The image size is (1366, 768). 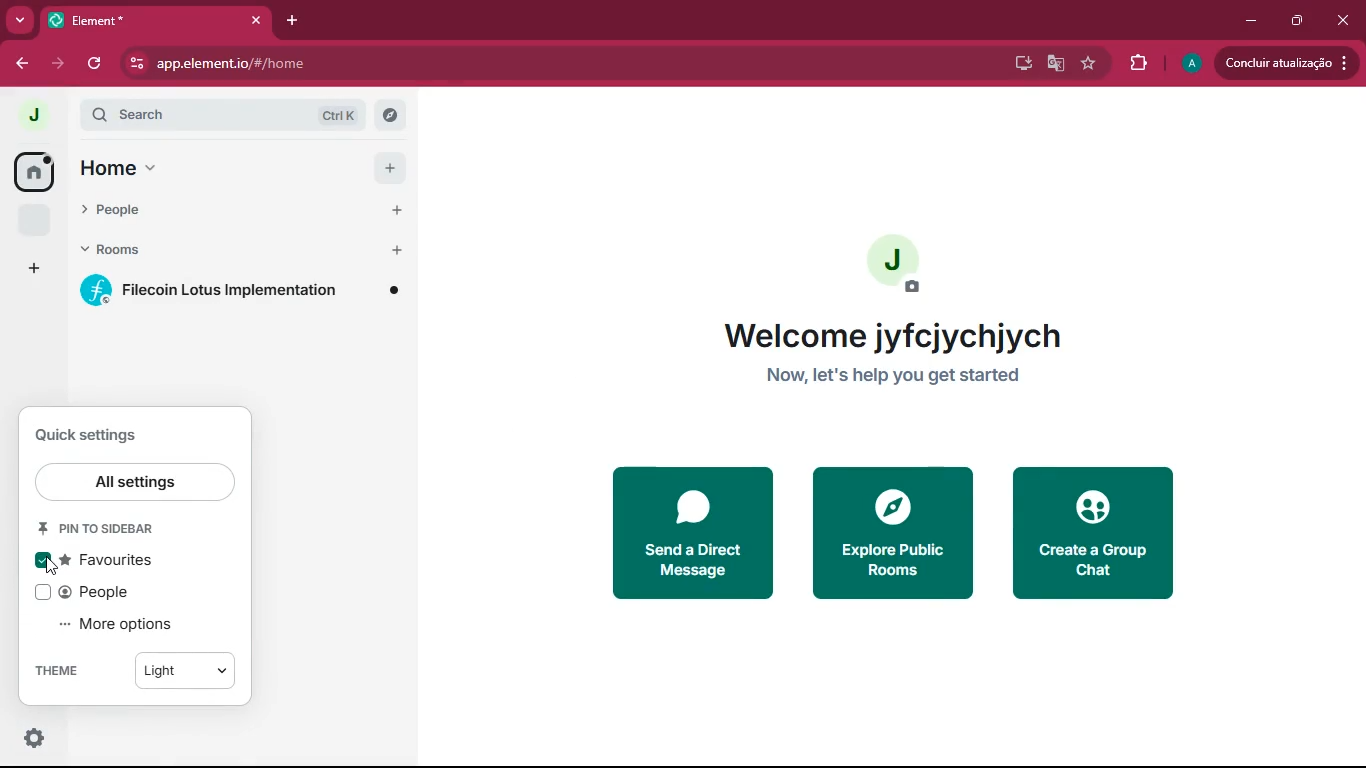 What do you see at coordinates (124, 624) in the screenshot?
I see `more options` at bounding box center [124, 624].